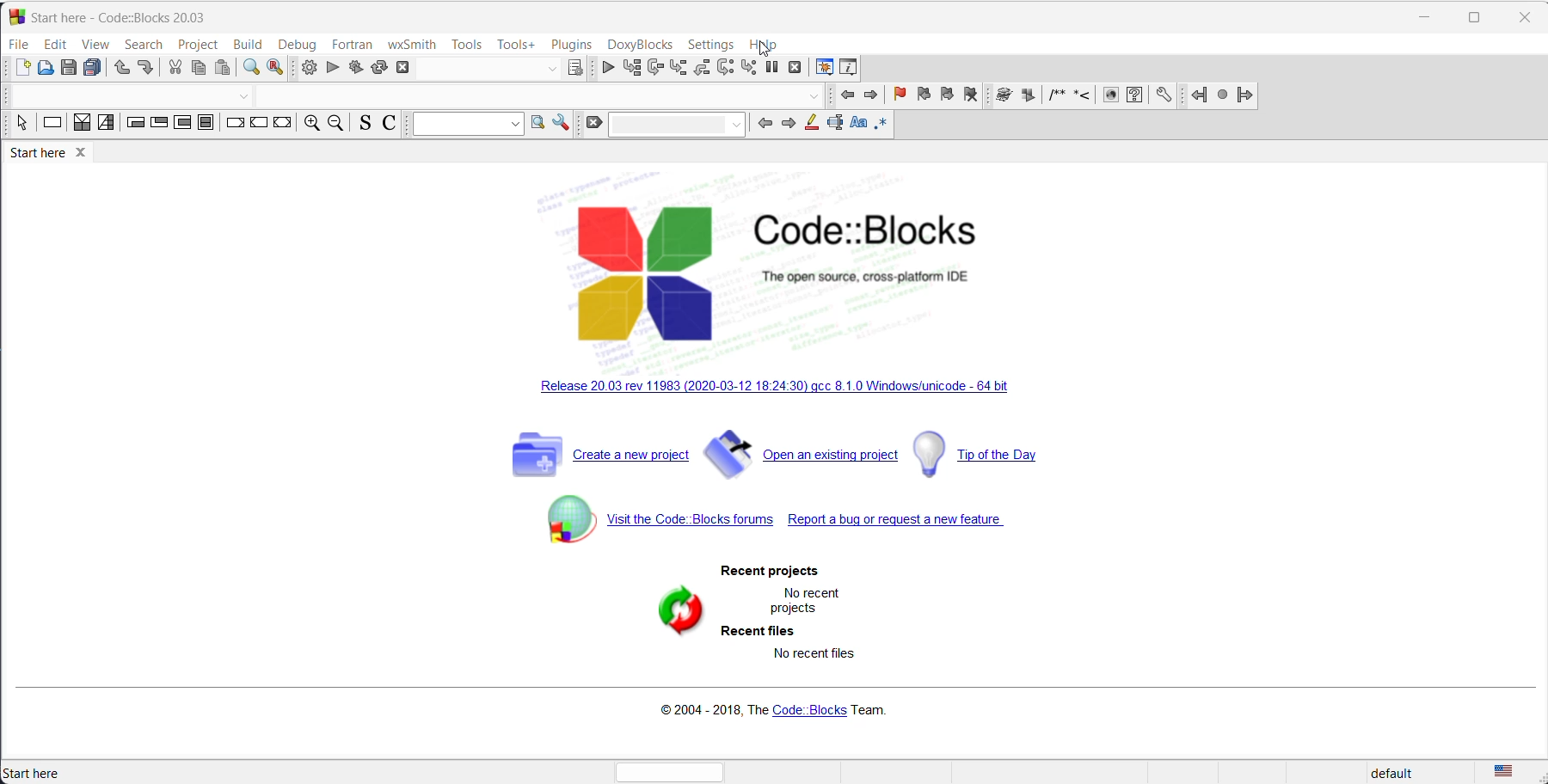  Describe the element at coordinates (56, 45) in the screenshot. I see `edit` at that location.